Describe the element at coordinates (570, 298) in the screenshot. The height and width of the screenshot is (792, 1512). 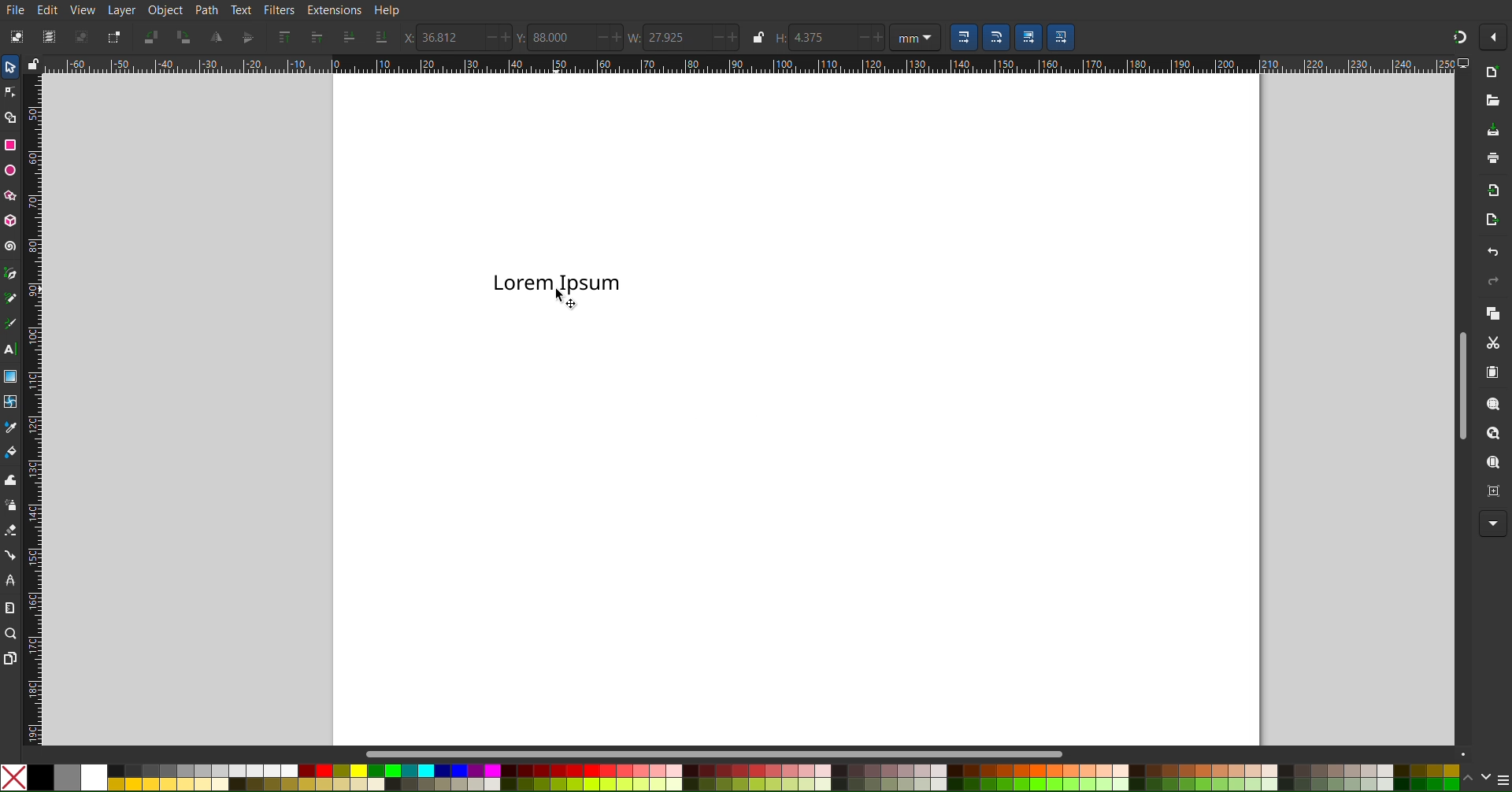
I see `cursor` at that location.